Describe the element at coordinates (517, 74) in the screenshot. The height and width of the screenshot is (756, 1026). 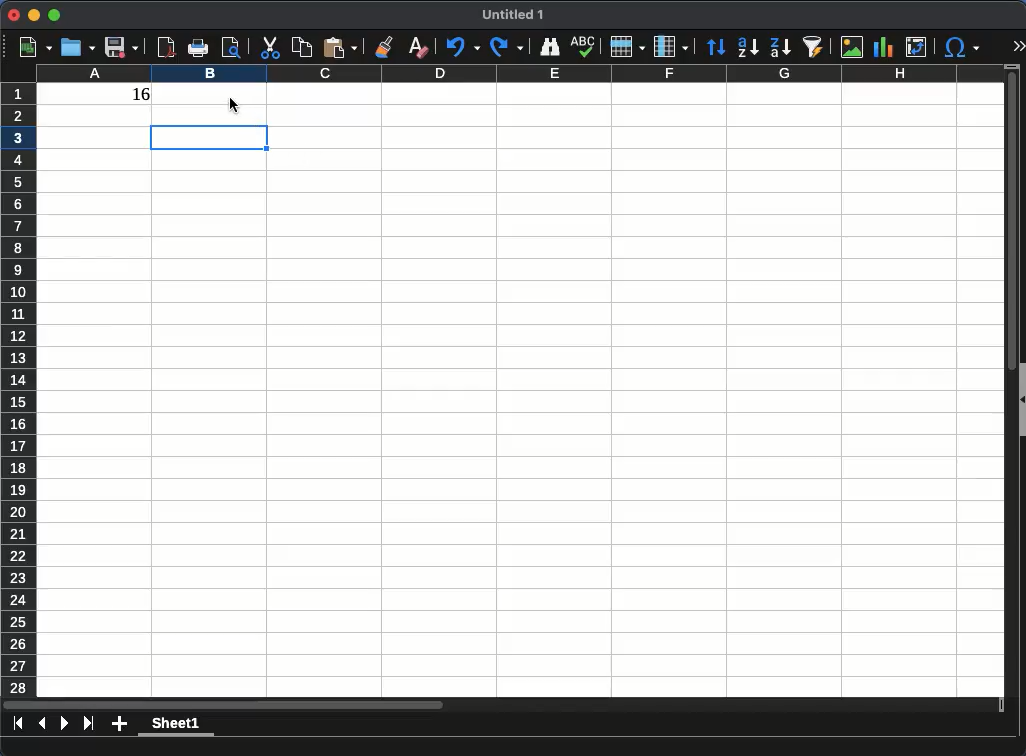
I see `column` at that location.